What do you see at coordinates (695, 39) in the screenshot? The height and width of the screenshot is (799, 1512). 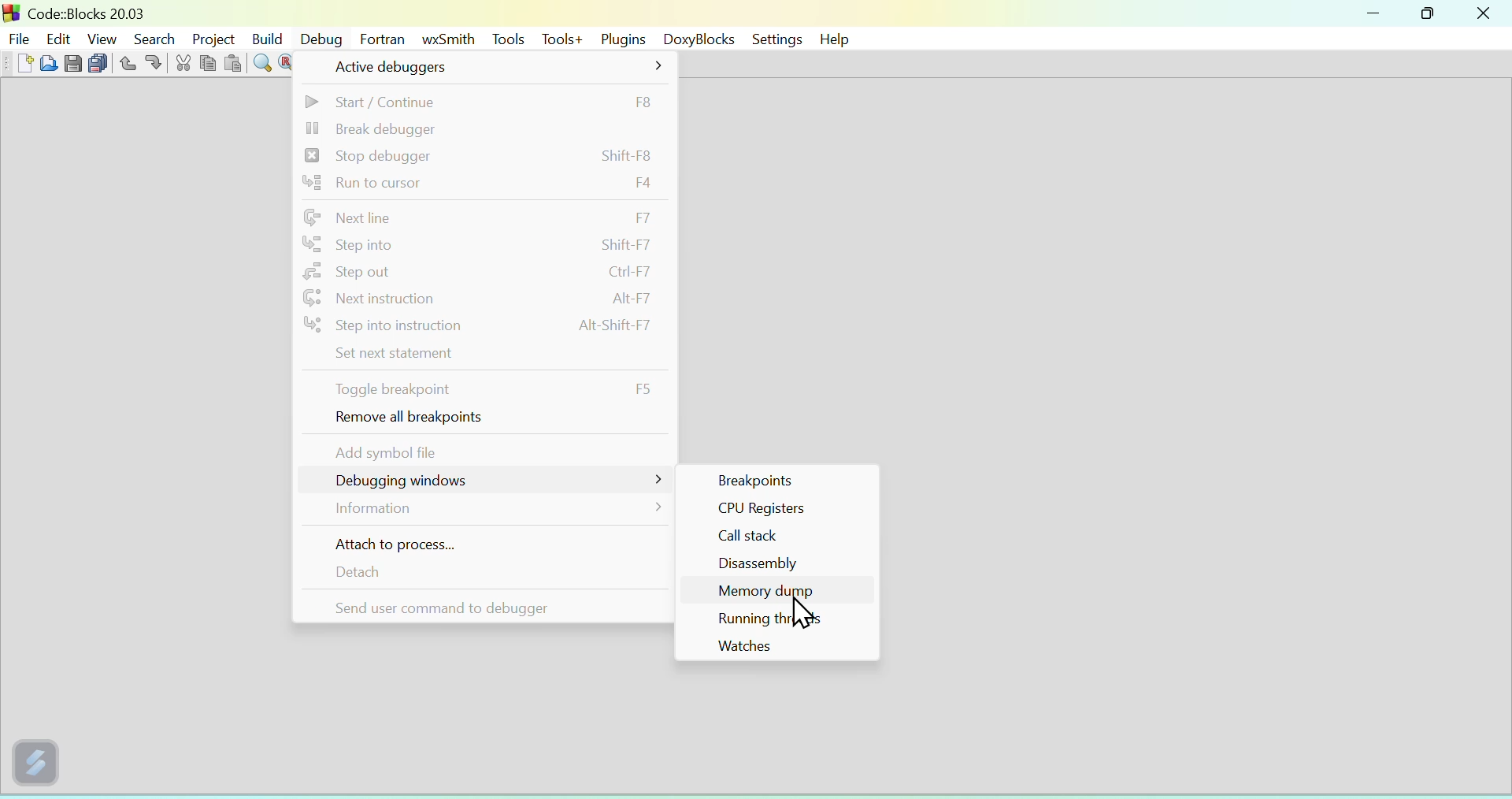 I see `DoxyBlocks` at bounding box center [695, 39].